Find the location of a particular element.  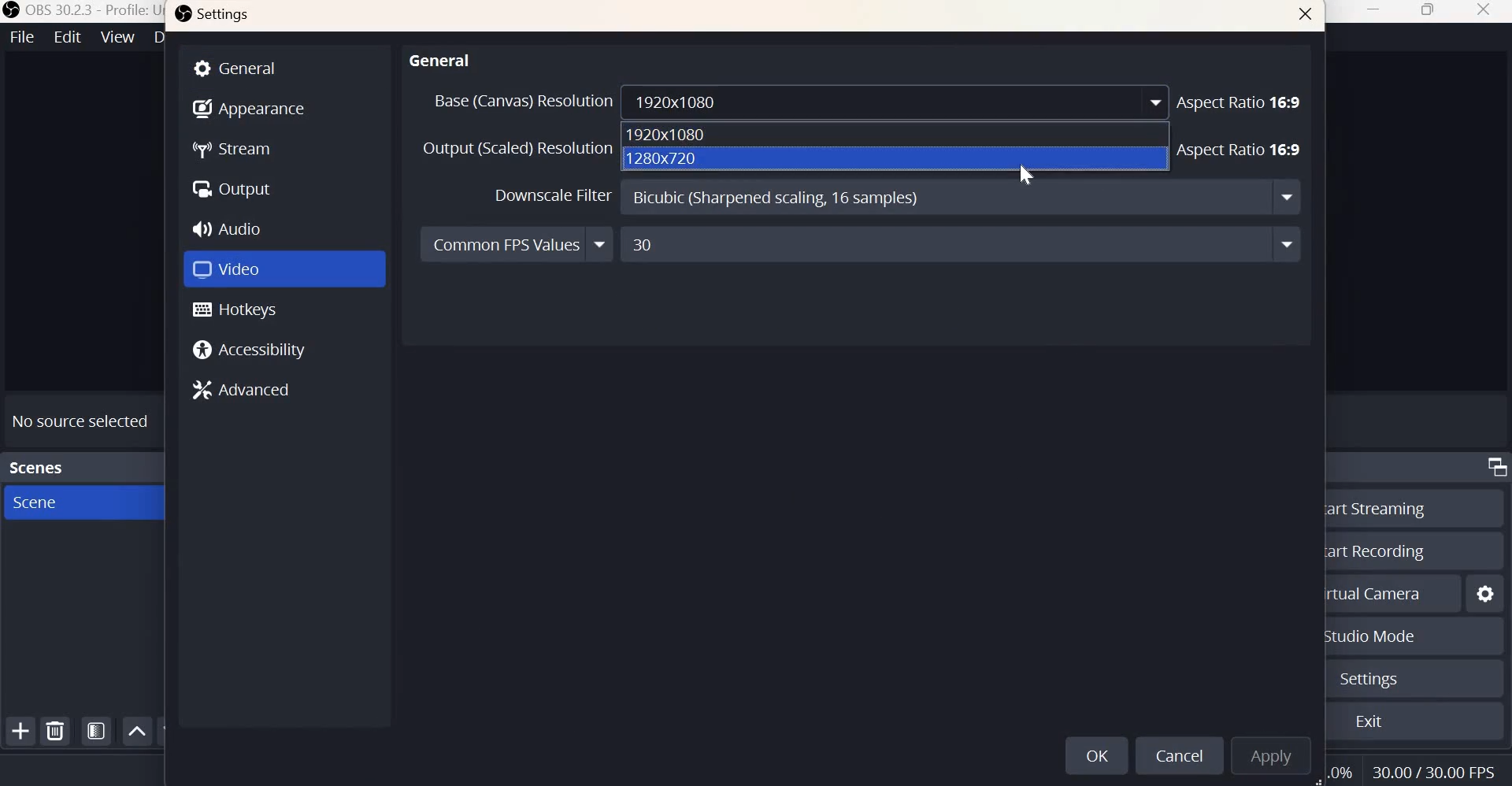

Dock Options icon is located at coordinates (1493, 469).